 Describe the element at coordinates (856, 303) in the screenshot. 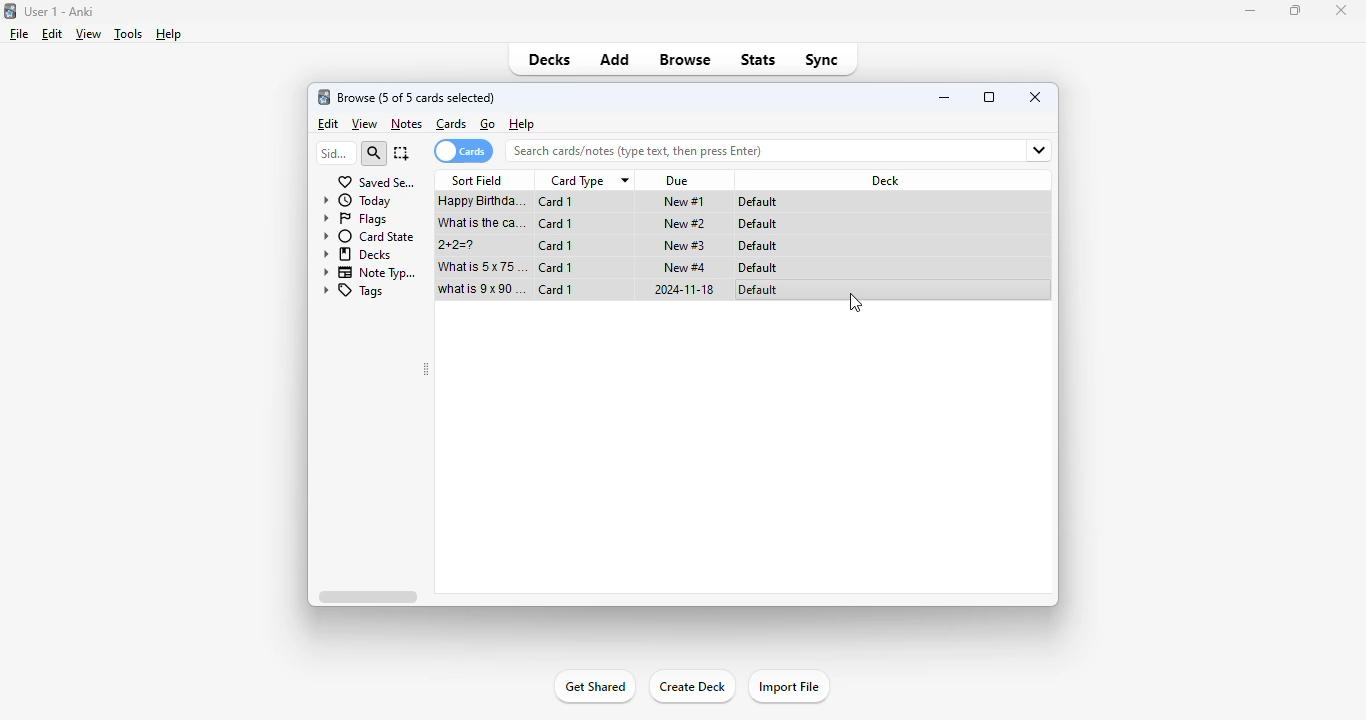

I see `drag to` at that location.